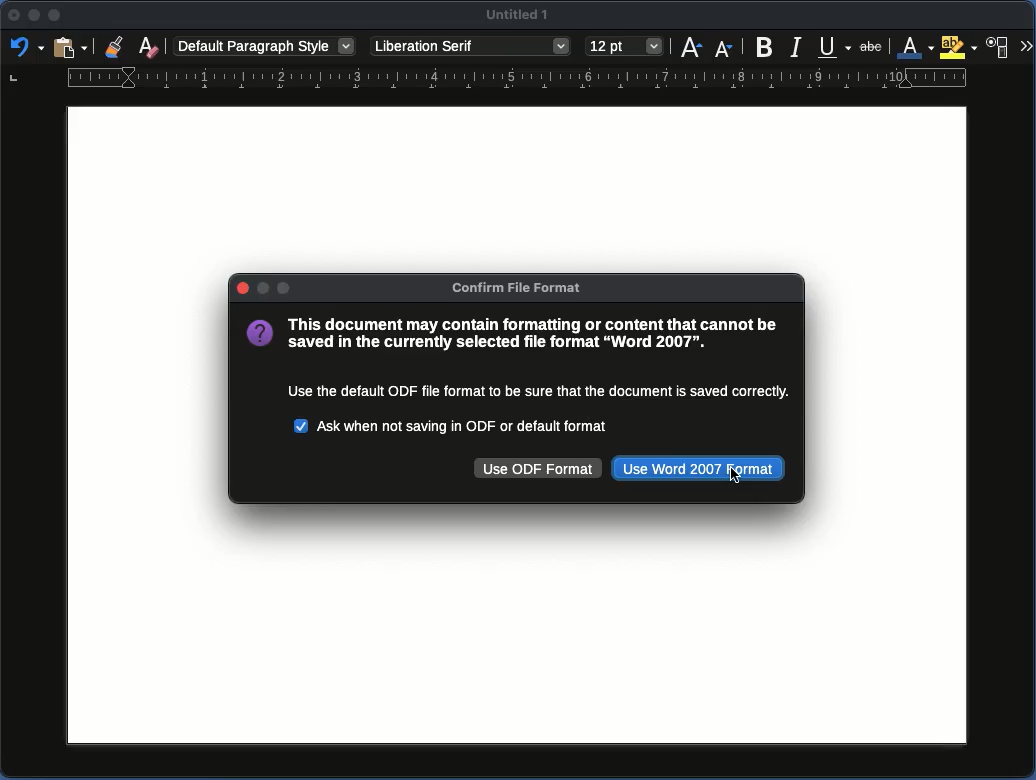 The image size is (1036, 780). What do you see at coordinates (699, 469) in the screenshot?
I see `Use Word 2007 format` at bounding box center [699, 469].